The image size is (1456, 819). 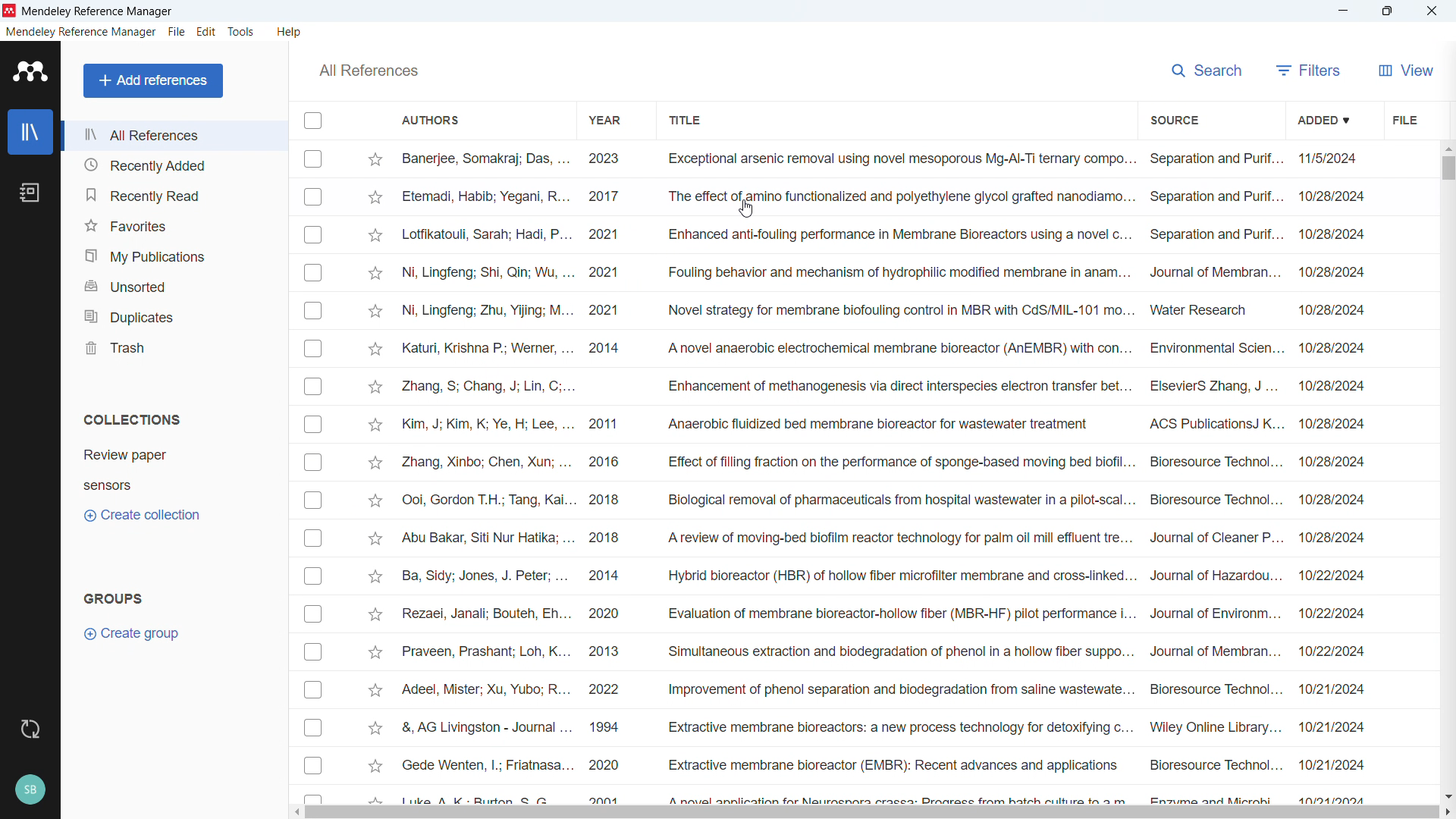 I want to click on Add references , so click(x=153, y=80).